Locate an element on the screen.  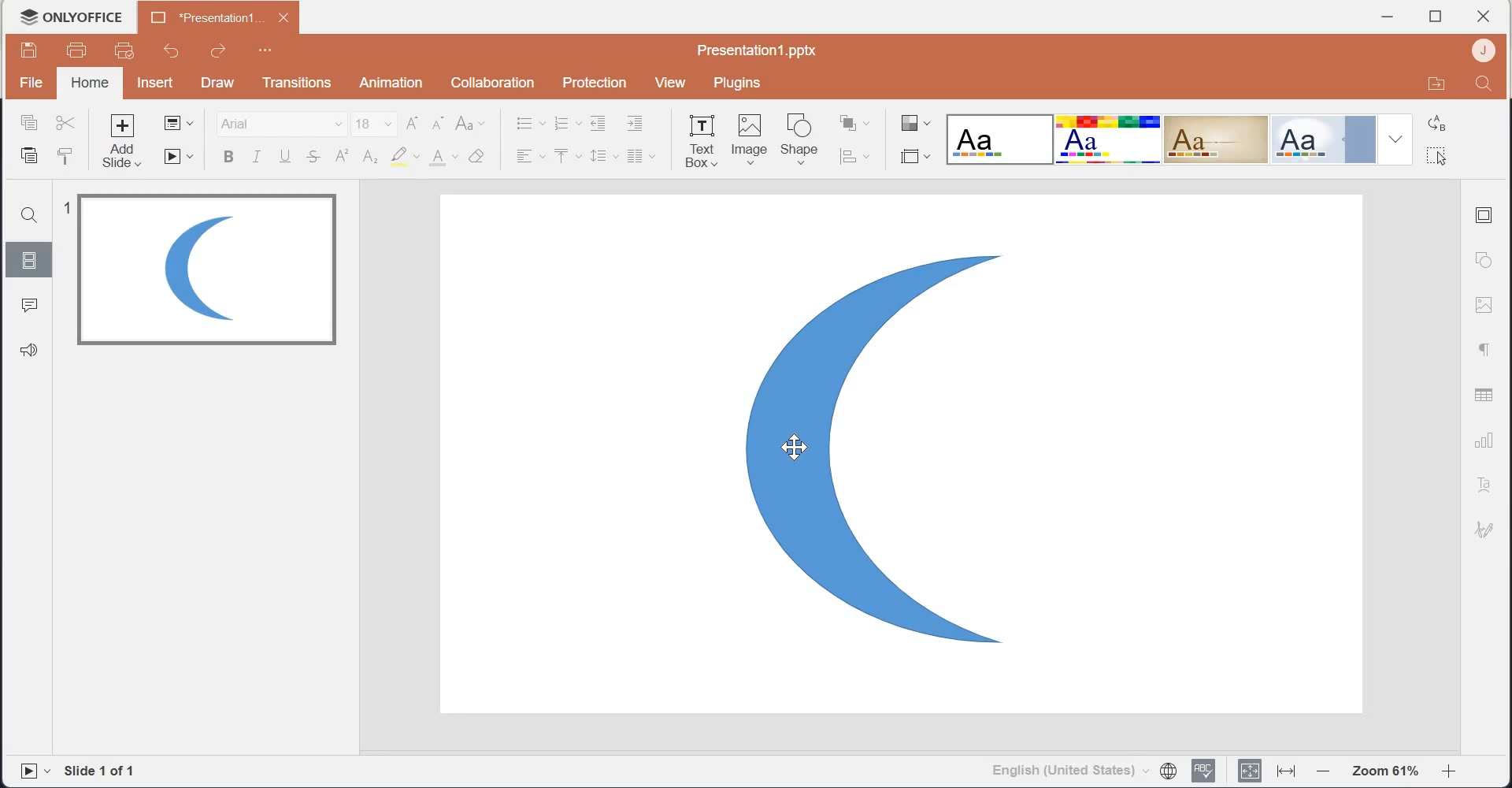
Collaboration is located at coordinates (493, 82).